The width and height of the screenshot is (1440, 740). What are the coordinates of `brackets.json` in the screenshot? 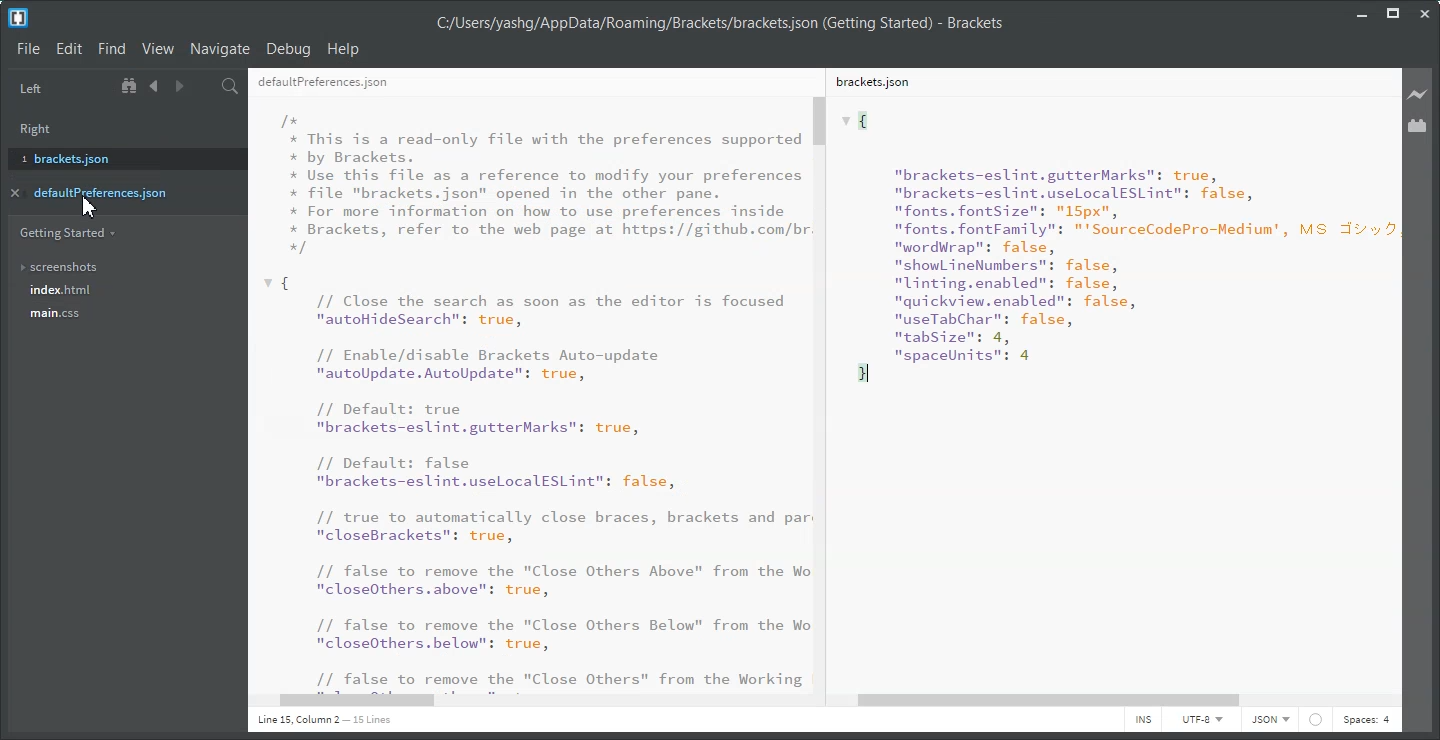 It's located at (121, 157).